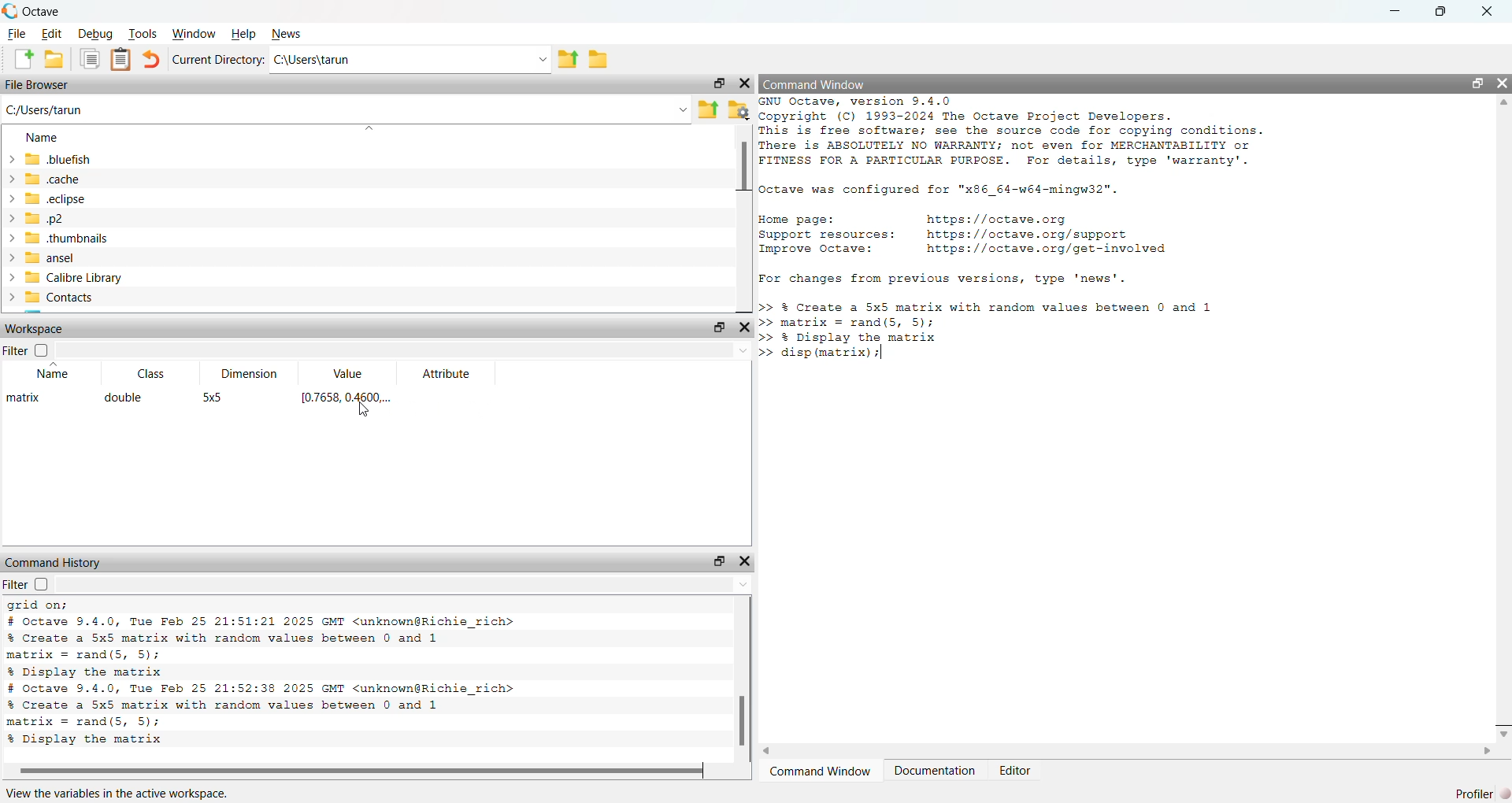  Describe the element at coordinates (28, 403) in the screenshot. I see `matrix` at that location.